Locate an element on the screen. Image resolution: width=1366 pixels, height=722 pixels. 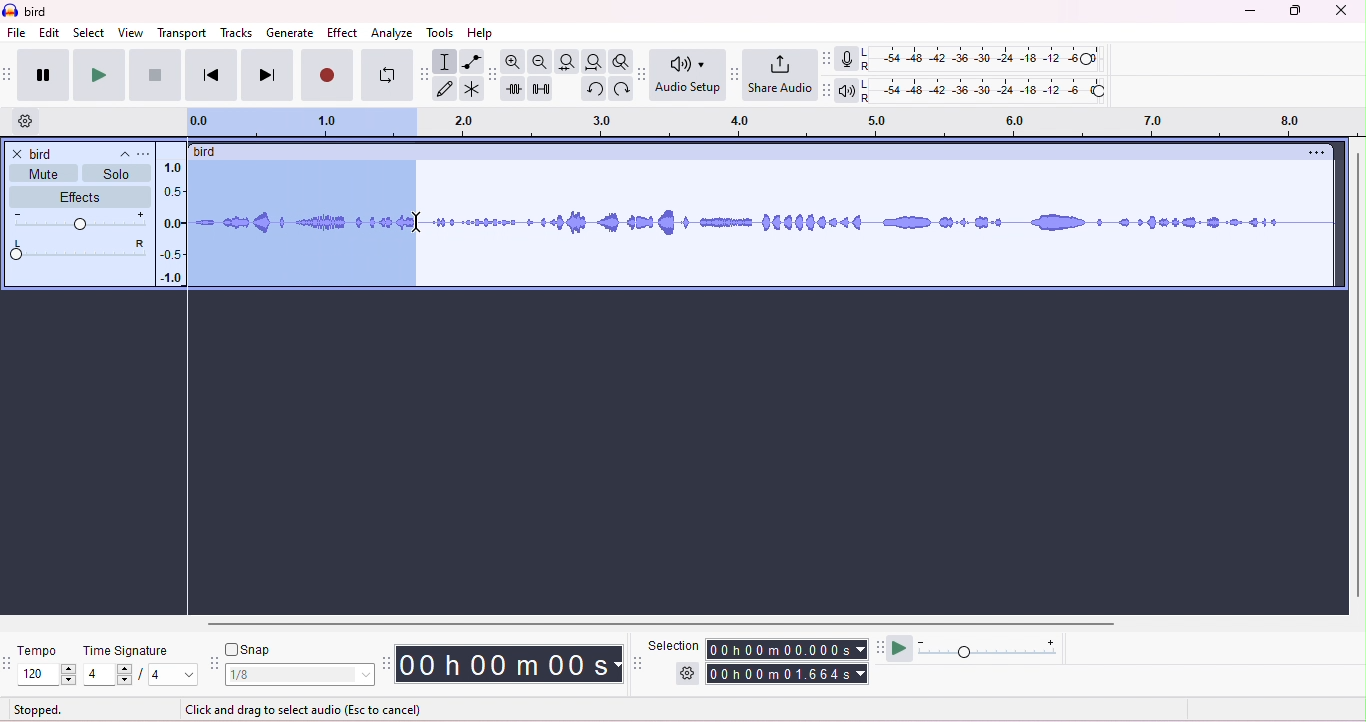
share audio is located at coordinates (783, 75).